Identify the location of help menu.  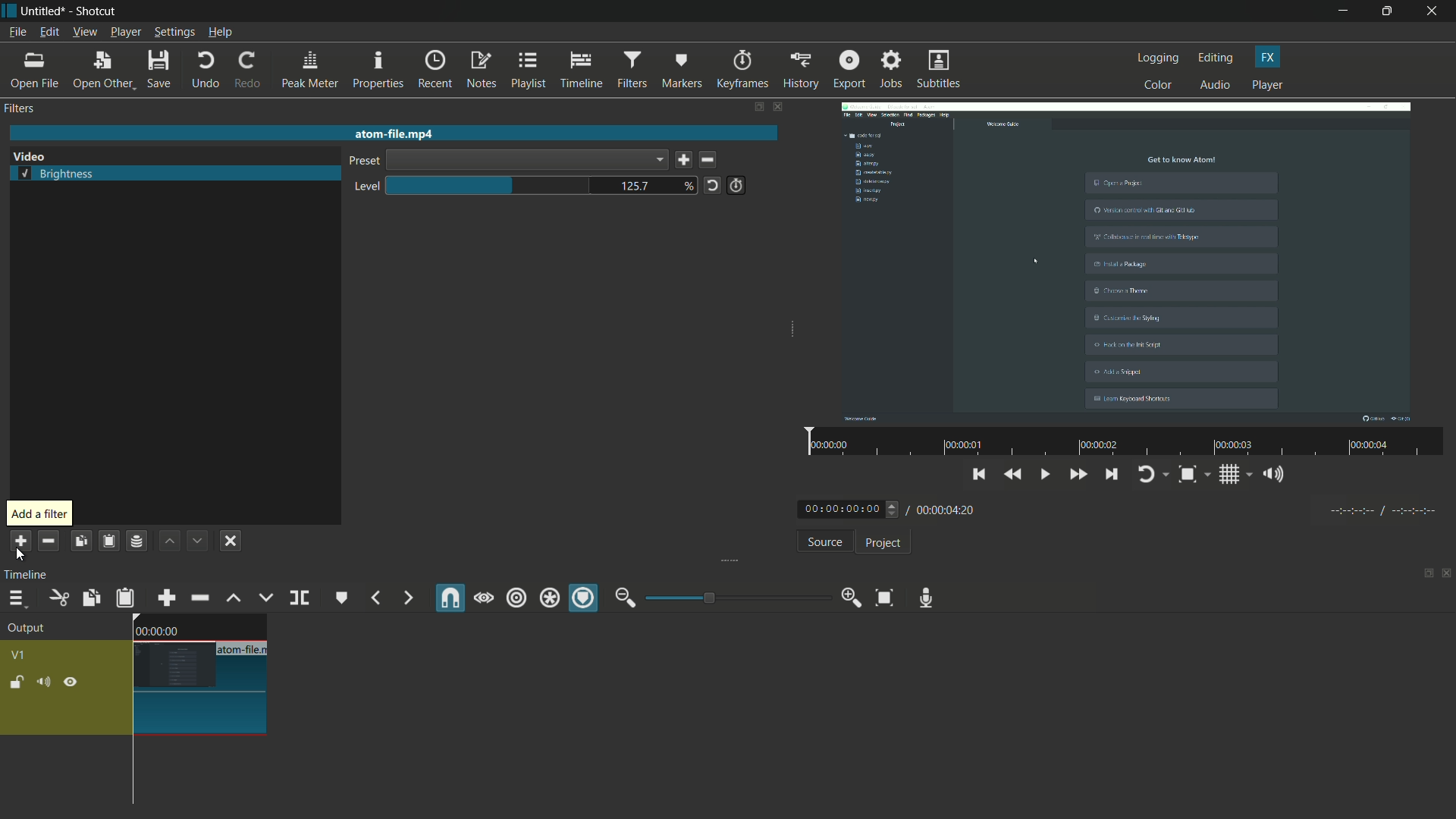
(221, 33).